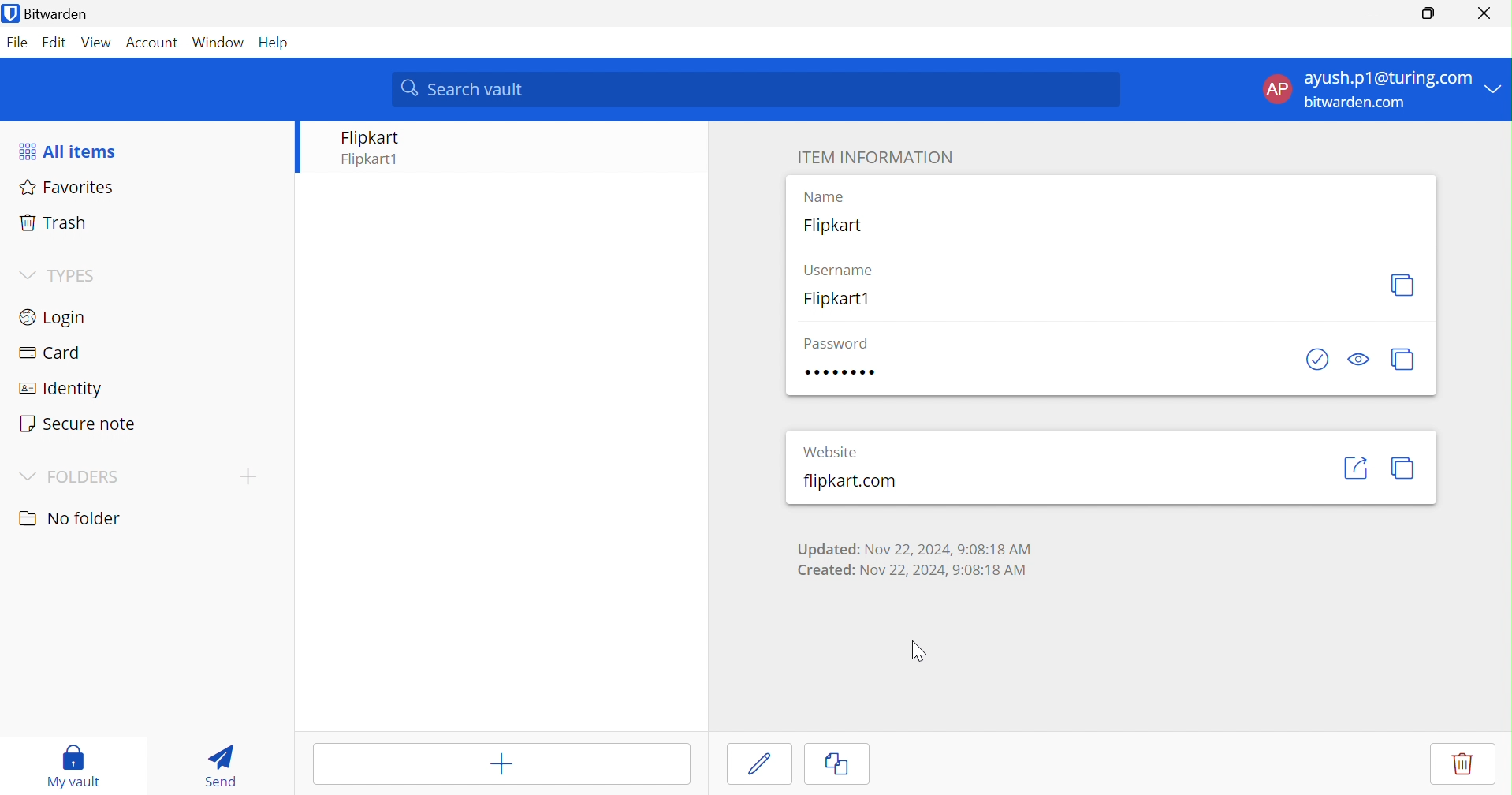 This screenshot has height=795, width=1512. What do you see at coordinates (1485, 13) in the screenshot?
I see `Close` at bounding box center [1485, 13].